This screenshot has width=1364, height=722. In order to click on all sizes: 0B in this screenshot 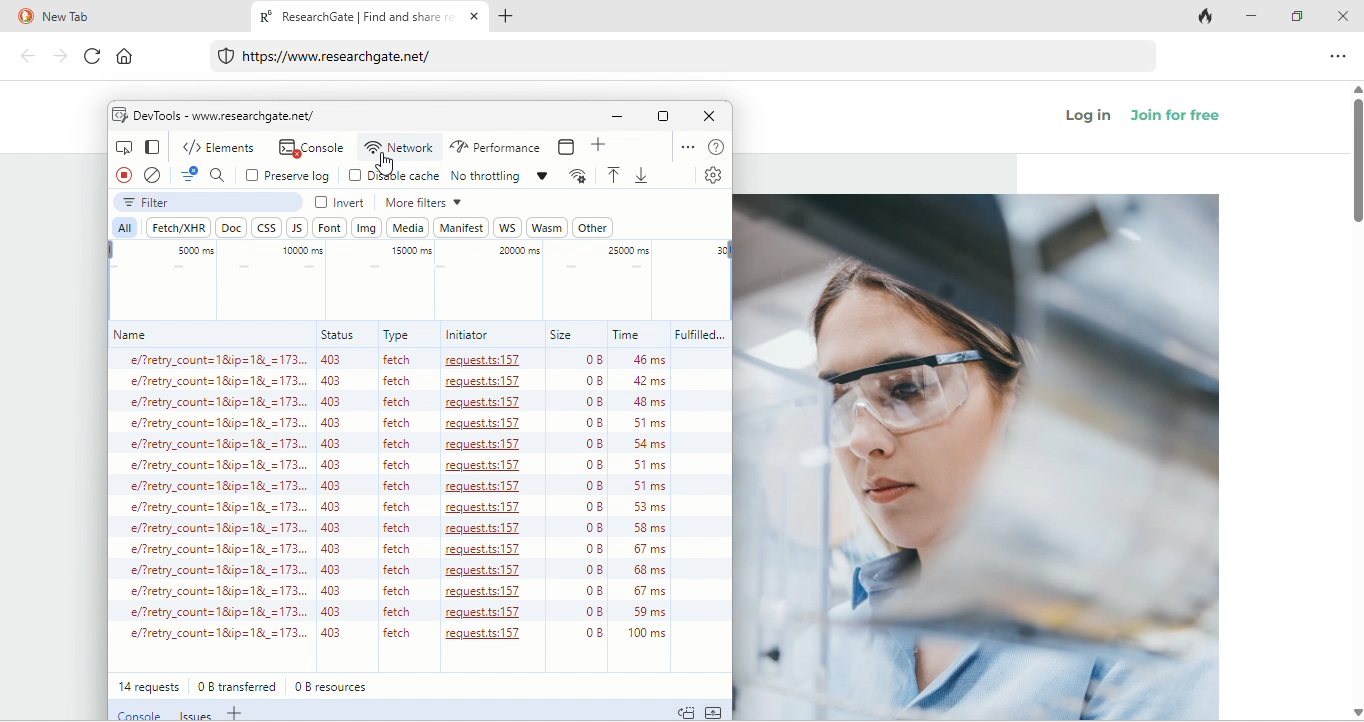, I will do `click(577, 511)`.